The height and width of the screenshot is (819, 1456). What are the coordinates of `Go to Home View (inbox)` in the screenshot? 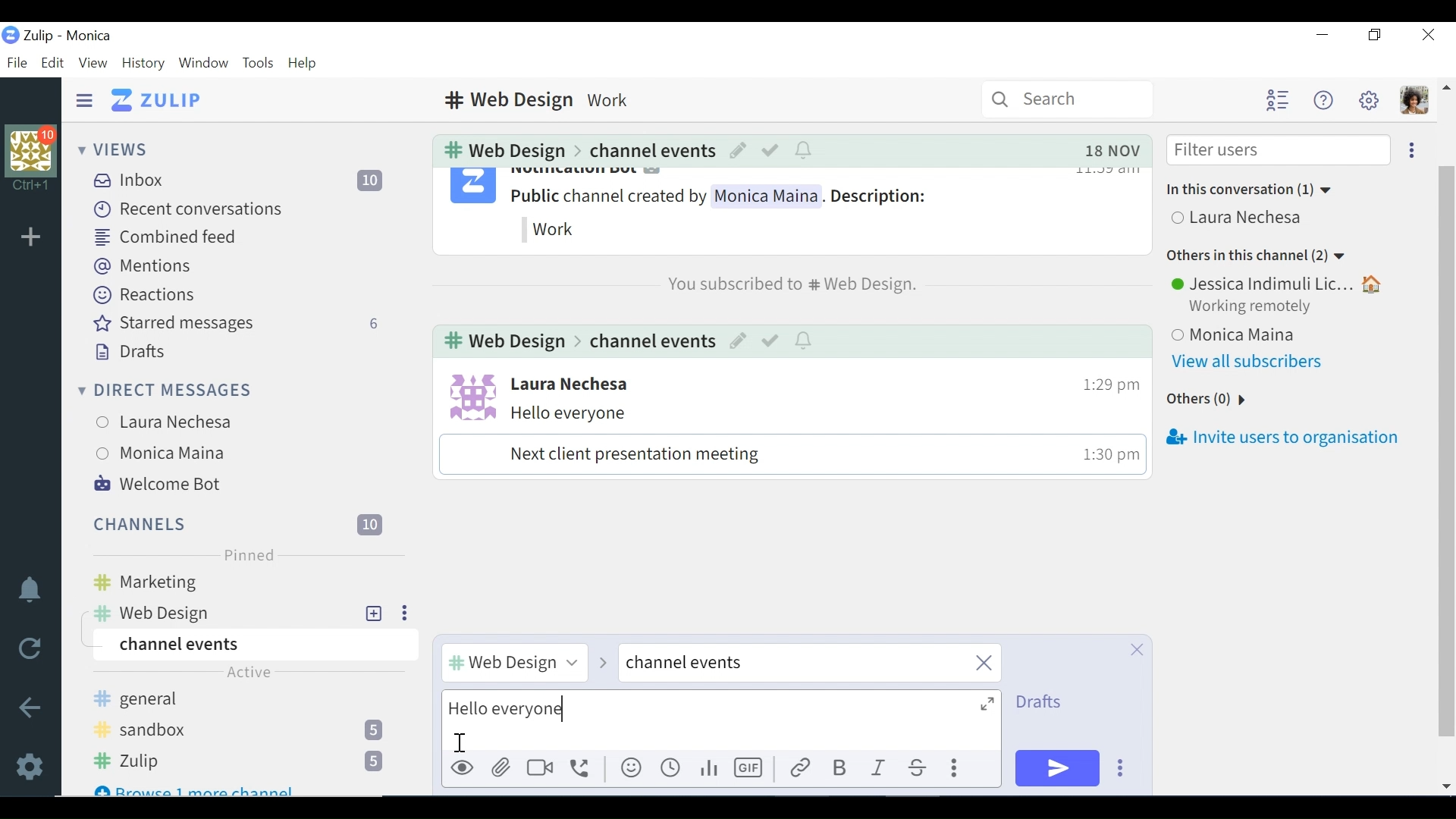 It's located at (158, 101).